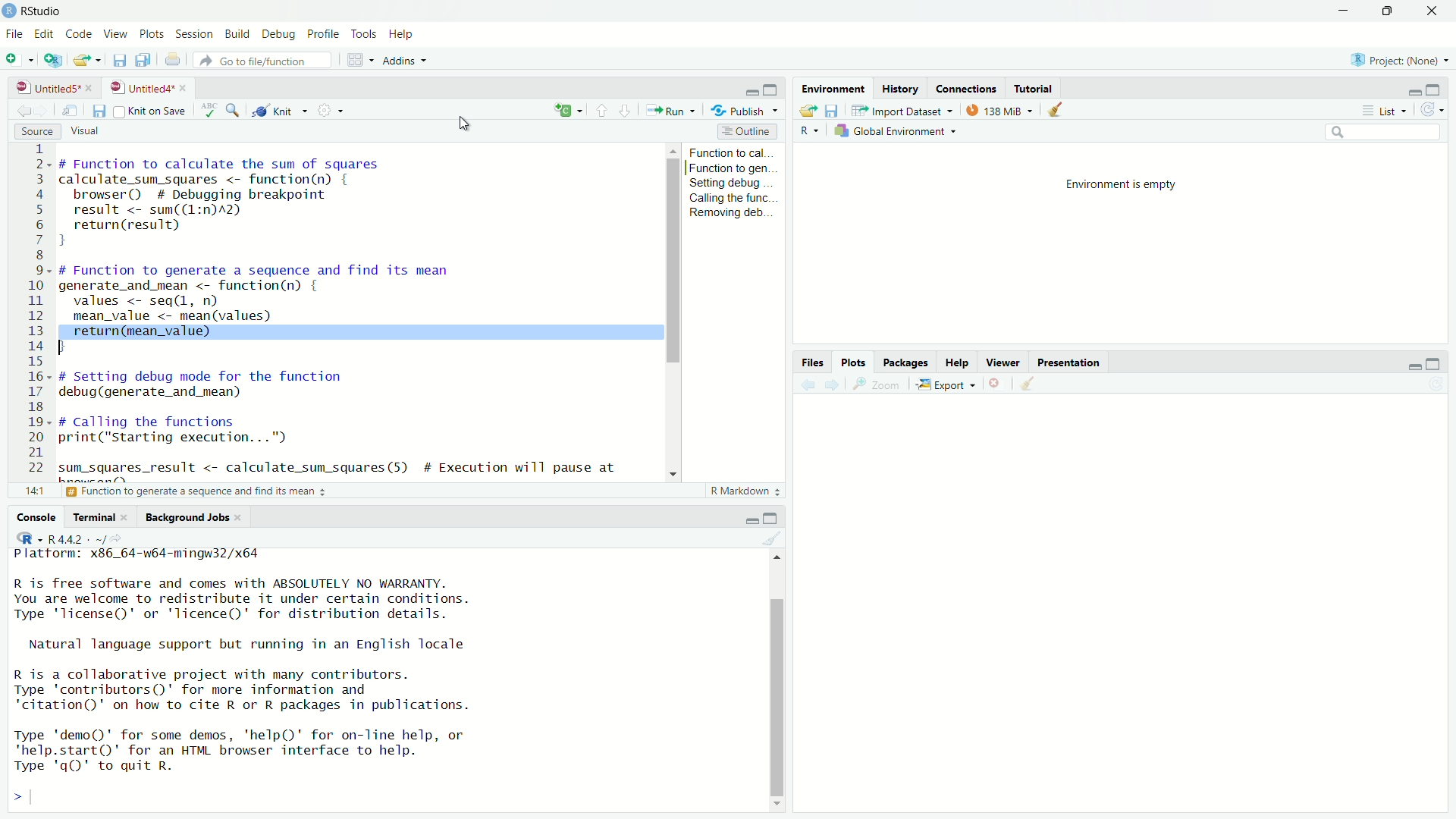 This screenshot has width=1456, height=819. Describe the element at coordinates (773, 537) in the screenshot. I see `clear console` at that location.